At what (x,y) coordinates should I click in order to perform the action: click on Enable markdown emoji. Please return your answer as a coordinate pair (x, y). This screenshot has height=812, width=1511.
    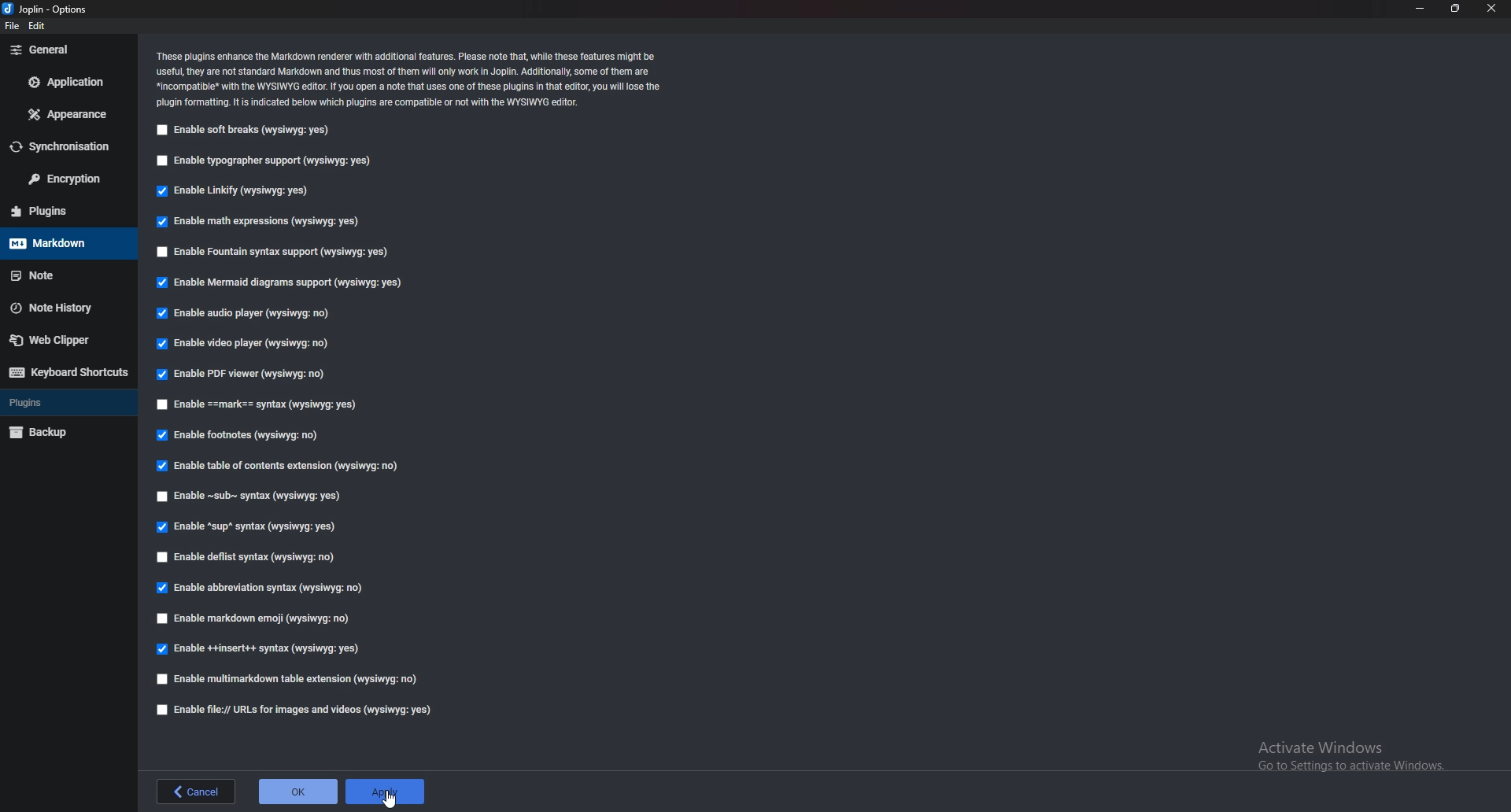
    Looking at the image, I should click on (257, 618).